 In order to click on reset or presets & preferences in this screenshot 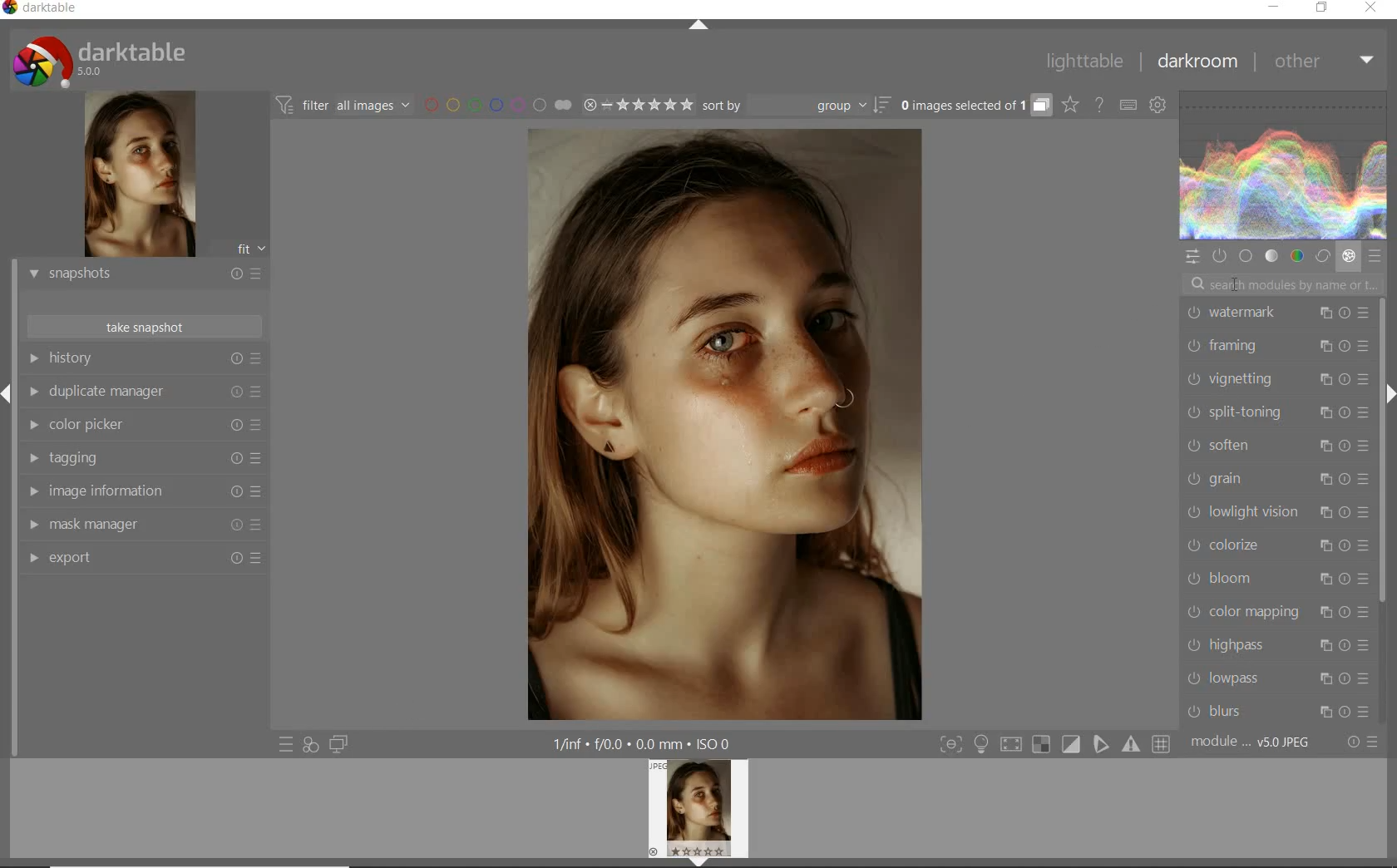, I will do `click(1364, 742)`.